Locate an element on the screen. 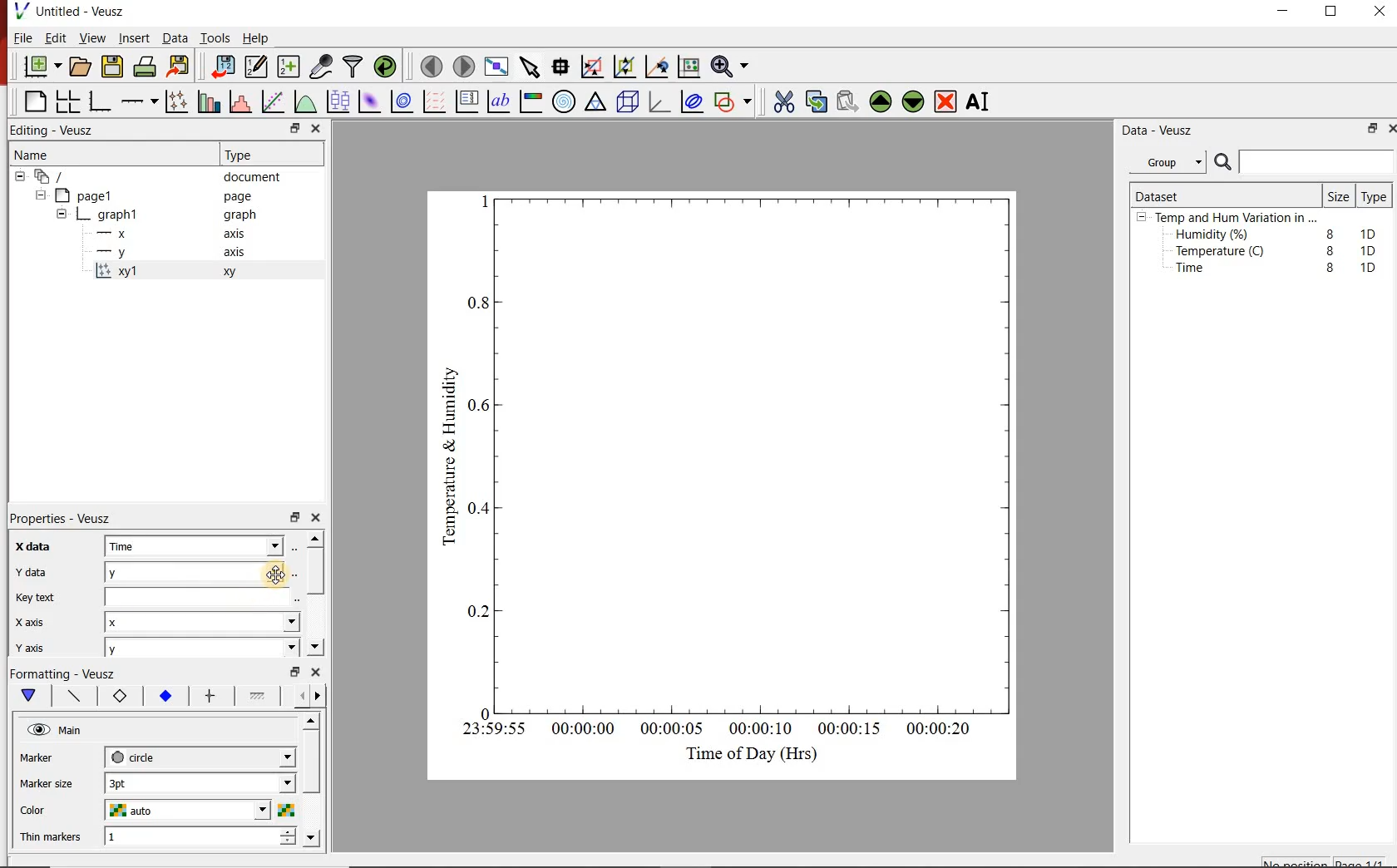 The height and width of the screenshot is (868, 1397). visible (click to hide, set Hide to true) is located at coordinates (37, 731).